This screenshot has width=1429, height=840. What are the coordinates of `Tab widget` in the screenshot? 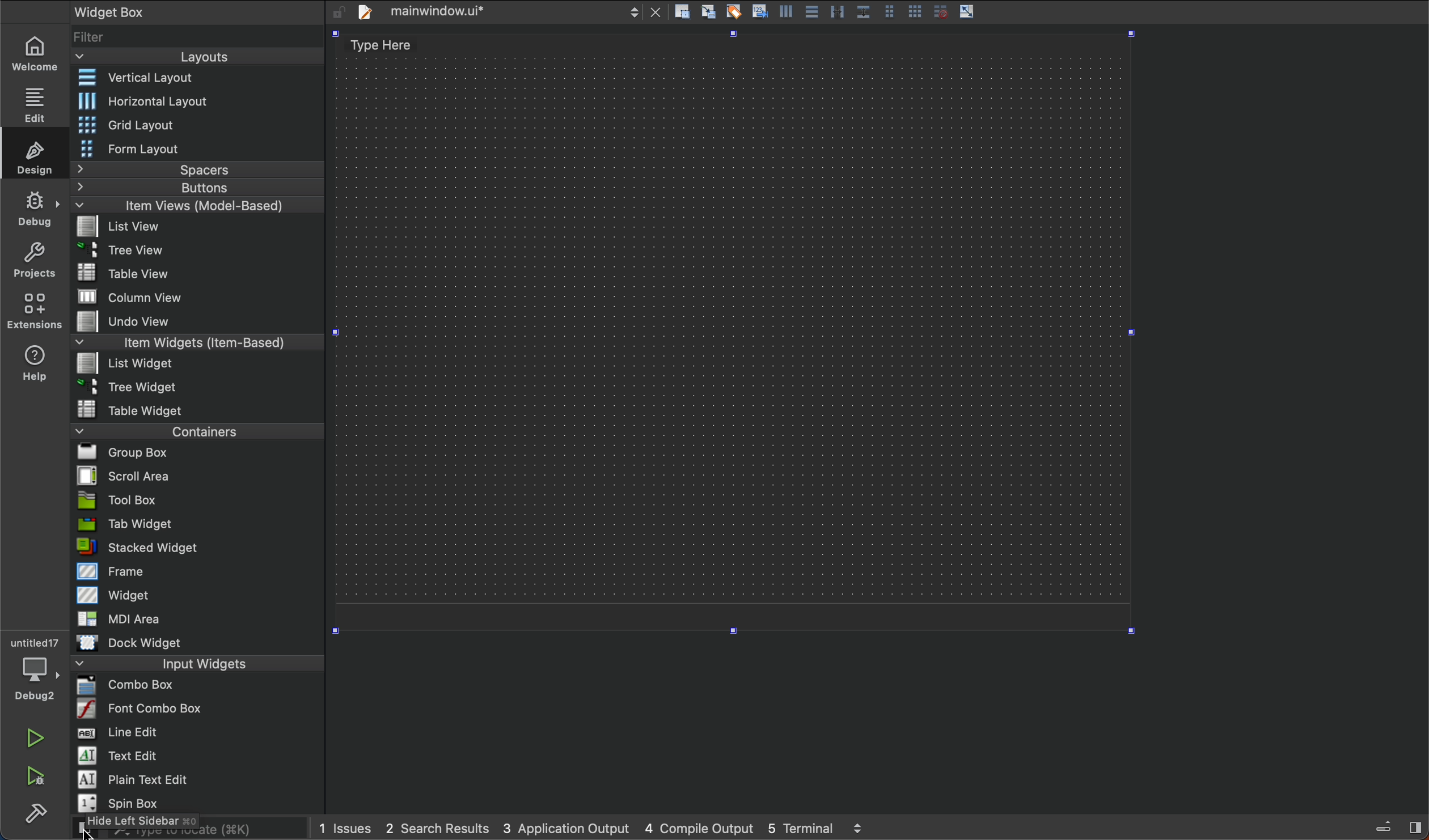 It's located at (125, 526).